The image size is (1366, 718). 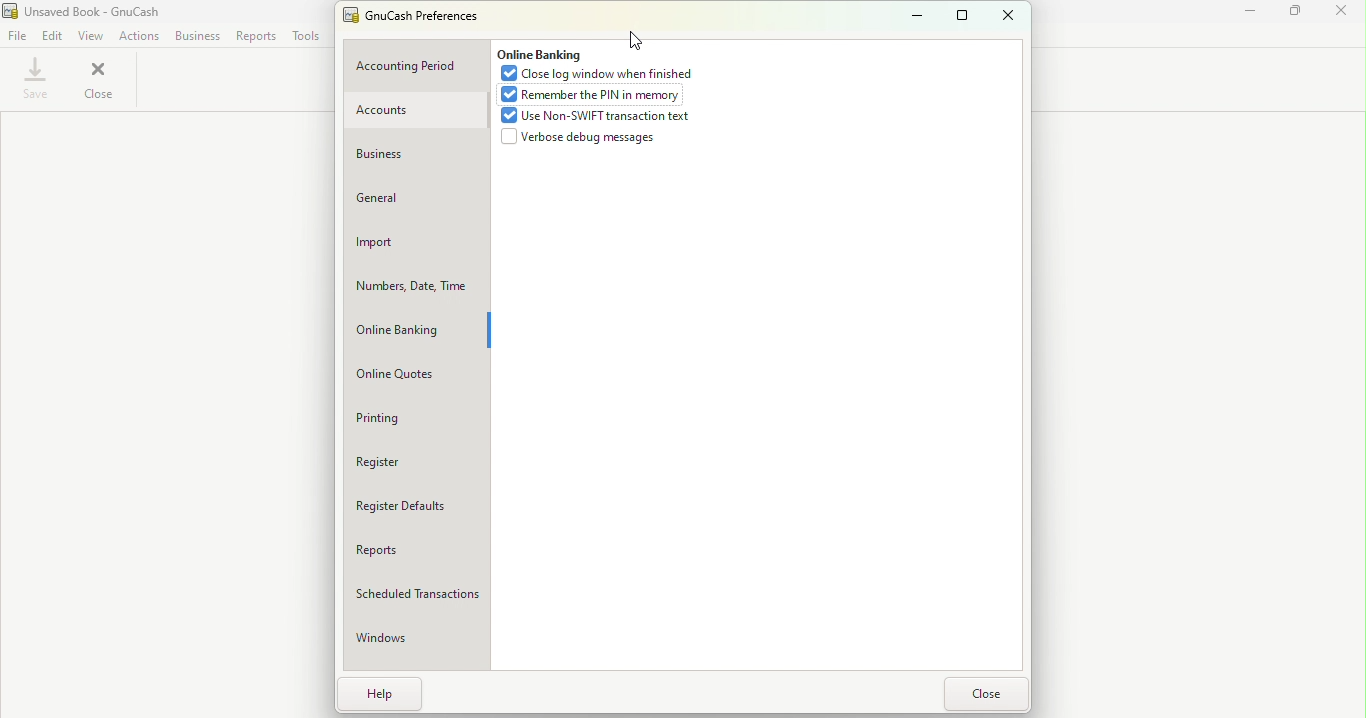 I want to click on Maximize, so click(x=957, y=15).